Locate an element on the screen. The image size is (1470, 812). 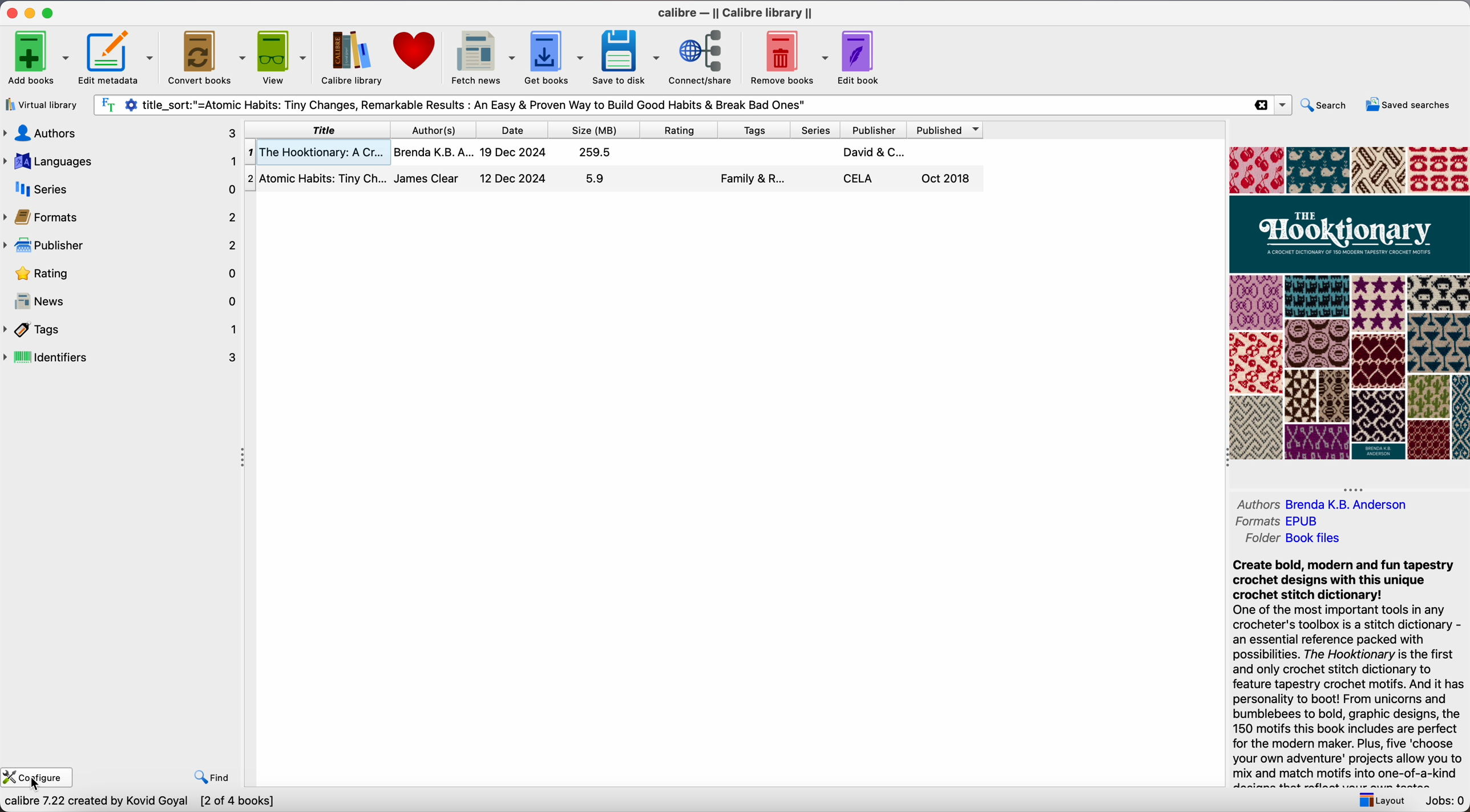
connect/share is located at coordinates (705, 56).